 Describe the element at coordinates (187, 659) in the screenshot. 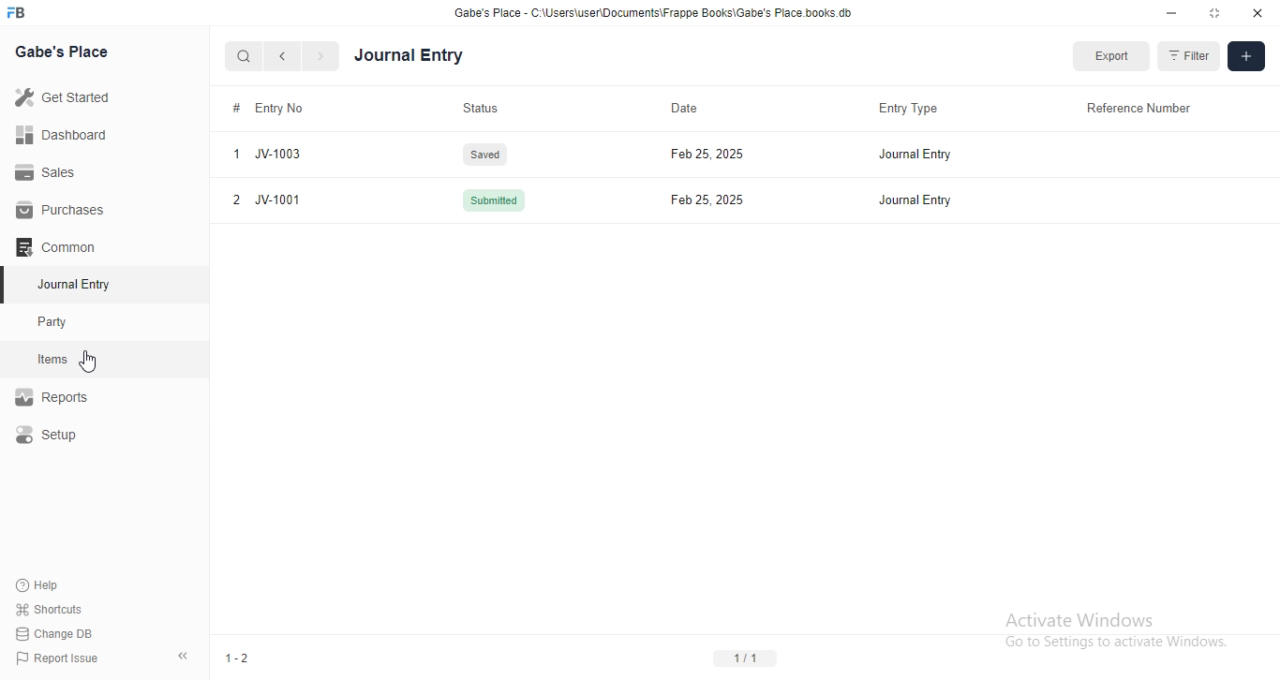

I see `collapse` at that location.